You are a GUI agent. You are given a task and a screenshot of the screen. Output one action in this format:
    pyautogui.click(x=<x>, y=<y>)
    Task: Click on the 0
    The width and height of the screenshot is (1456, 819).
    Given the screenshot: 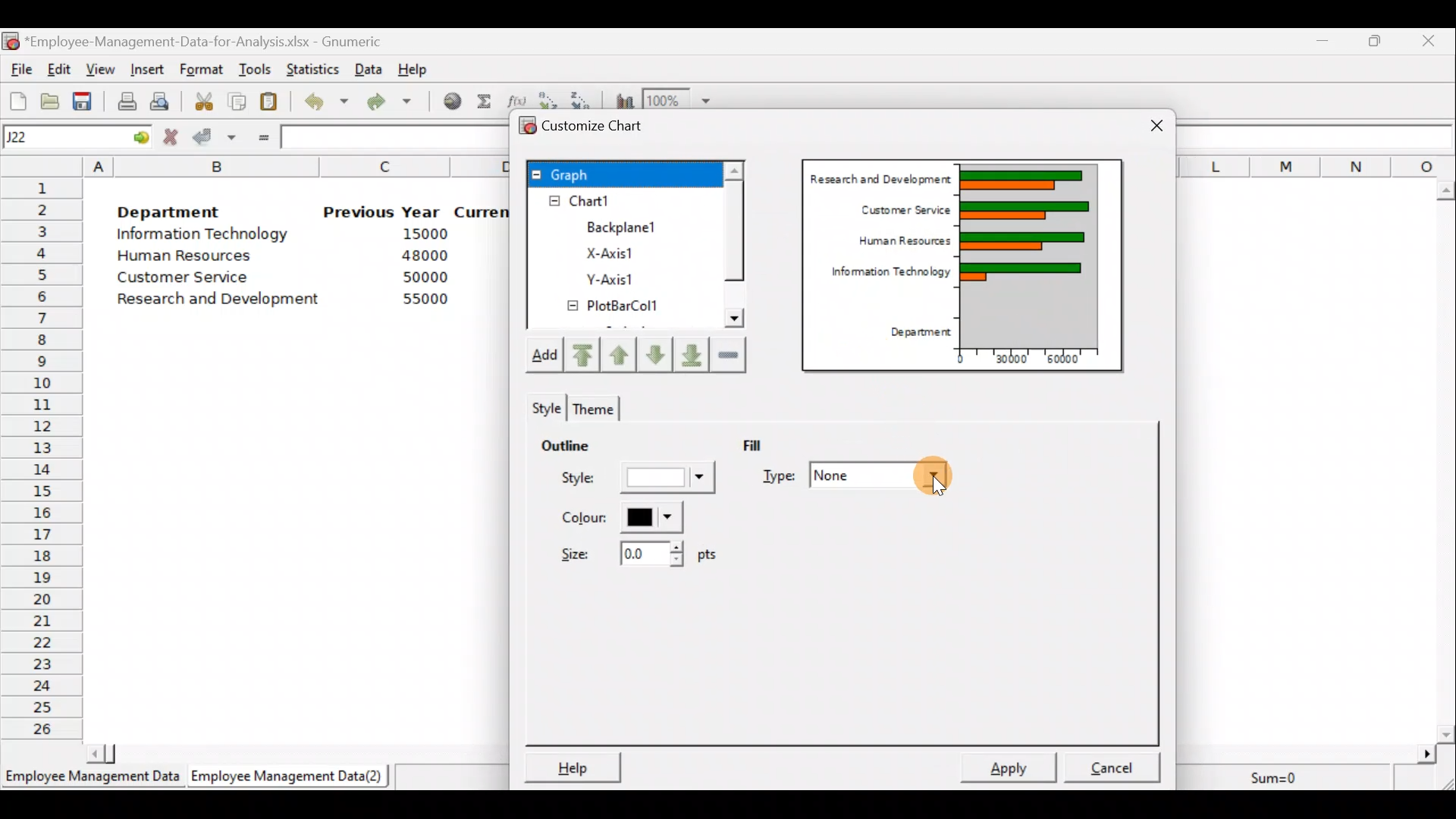 What is the action you would take?
    pyautogui.click(x=954, y=362)
    